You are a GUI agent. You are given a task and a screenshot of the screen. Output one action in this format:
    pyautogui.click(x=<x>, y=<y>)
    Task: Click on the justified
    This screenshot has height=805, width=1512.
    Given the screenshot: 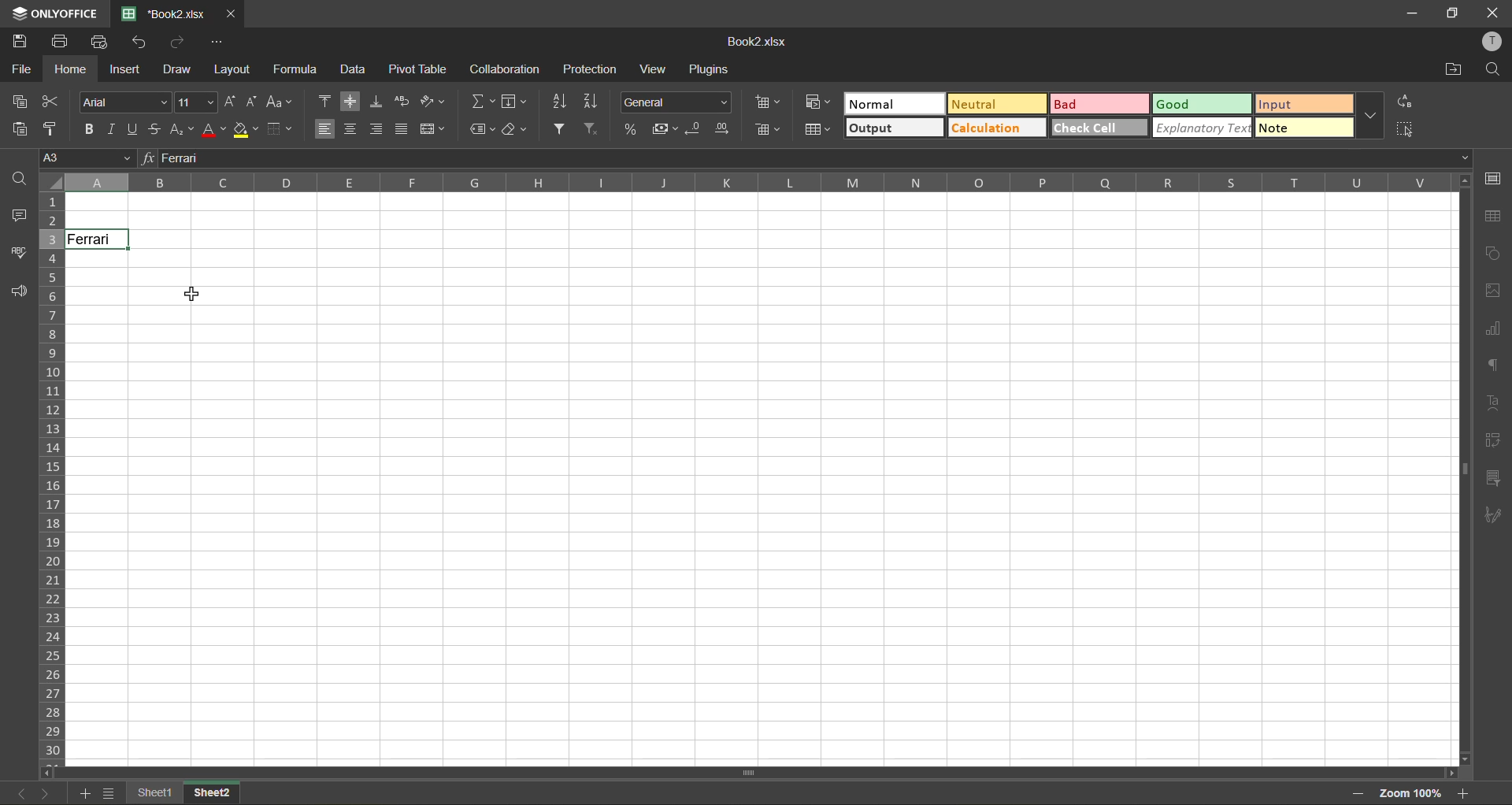 What is the action you would take?
    pyautogui.click(x=399, y=130)
    